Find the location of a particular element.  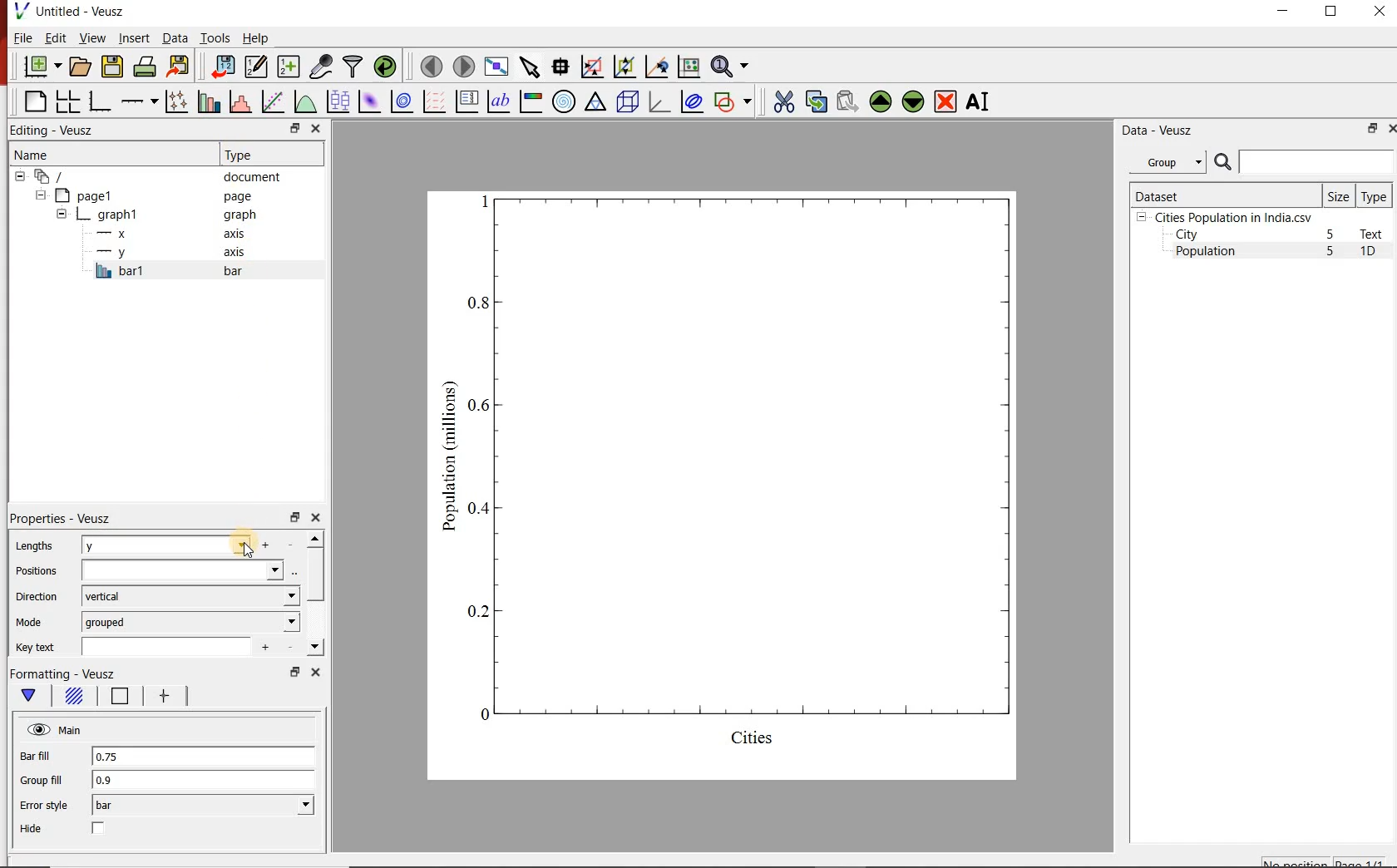

RESTORE is located at coordinates (1331, 12).